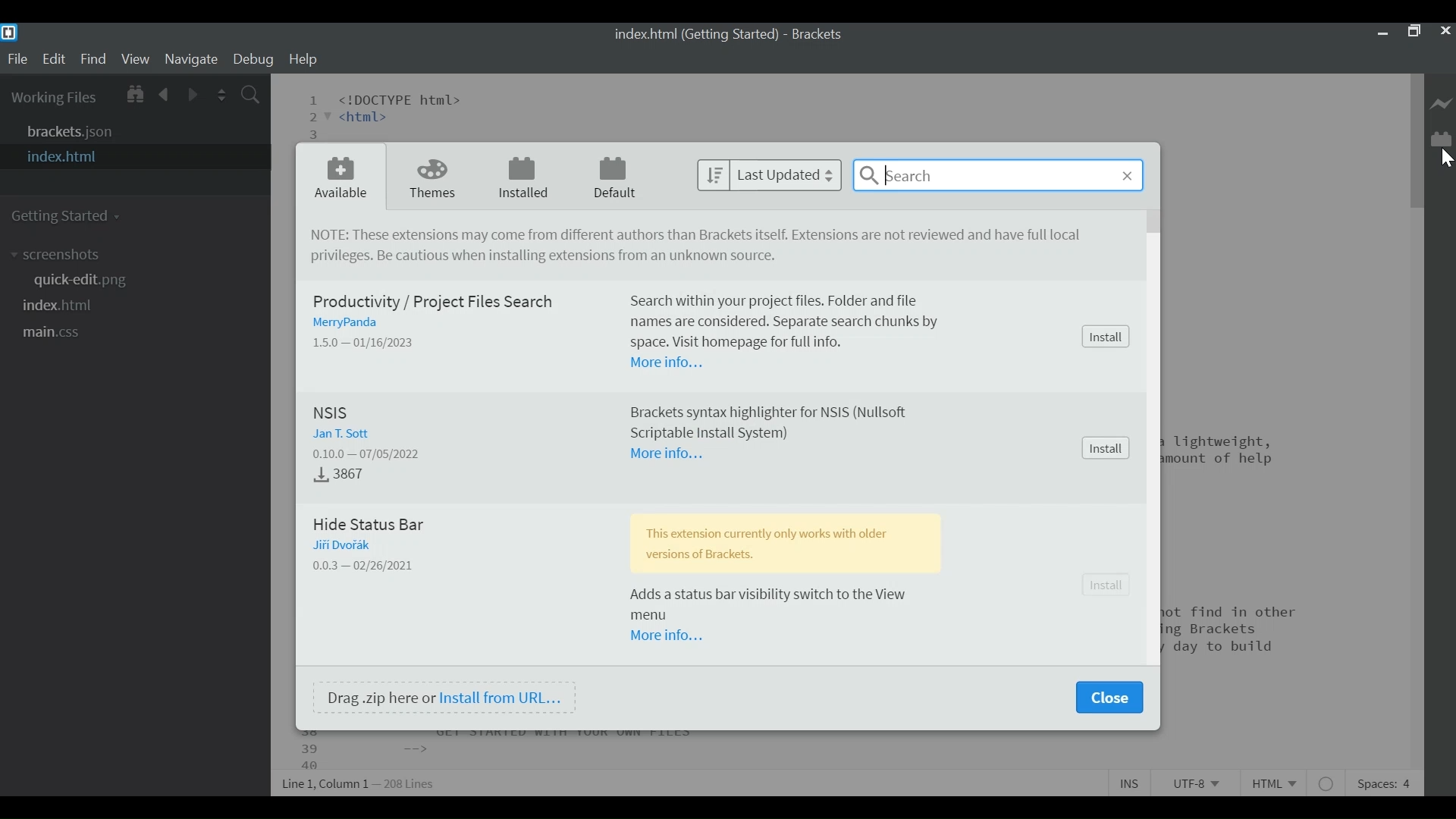  Describe the element at coordinates (1193, 783) in the screenshot. I see `File Encoding` at that location.